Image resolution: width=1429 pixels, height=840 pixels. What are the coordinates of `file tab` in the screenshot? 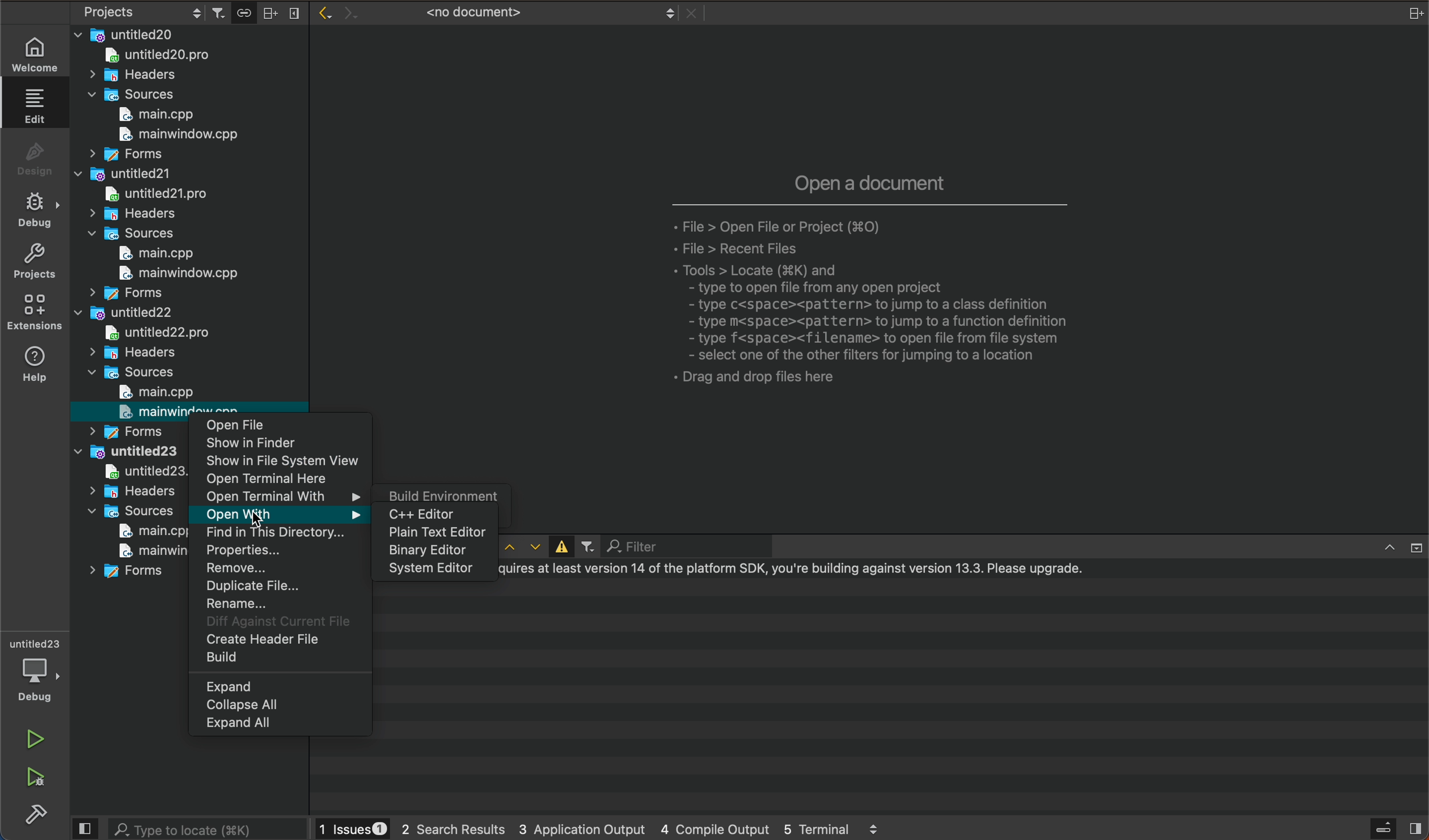 It's located at (528, 13).